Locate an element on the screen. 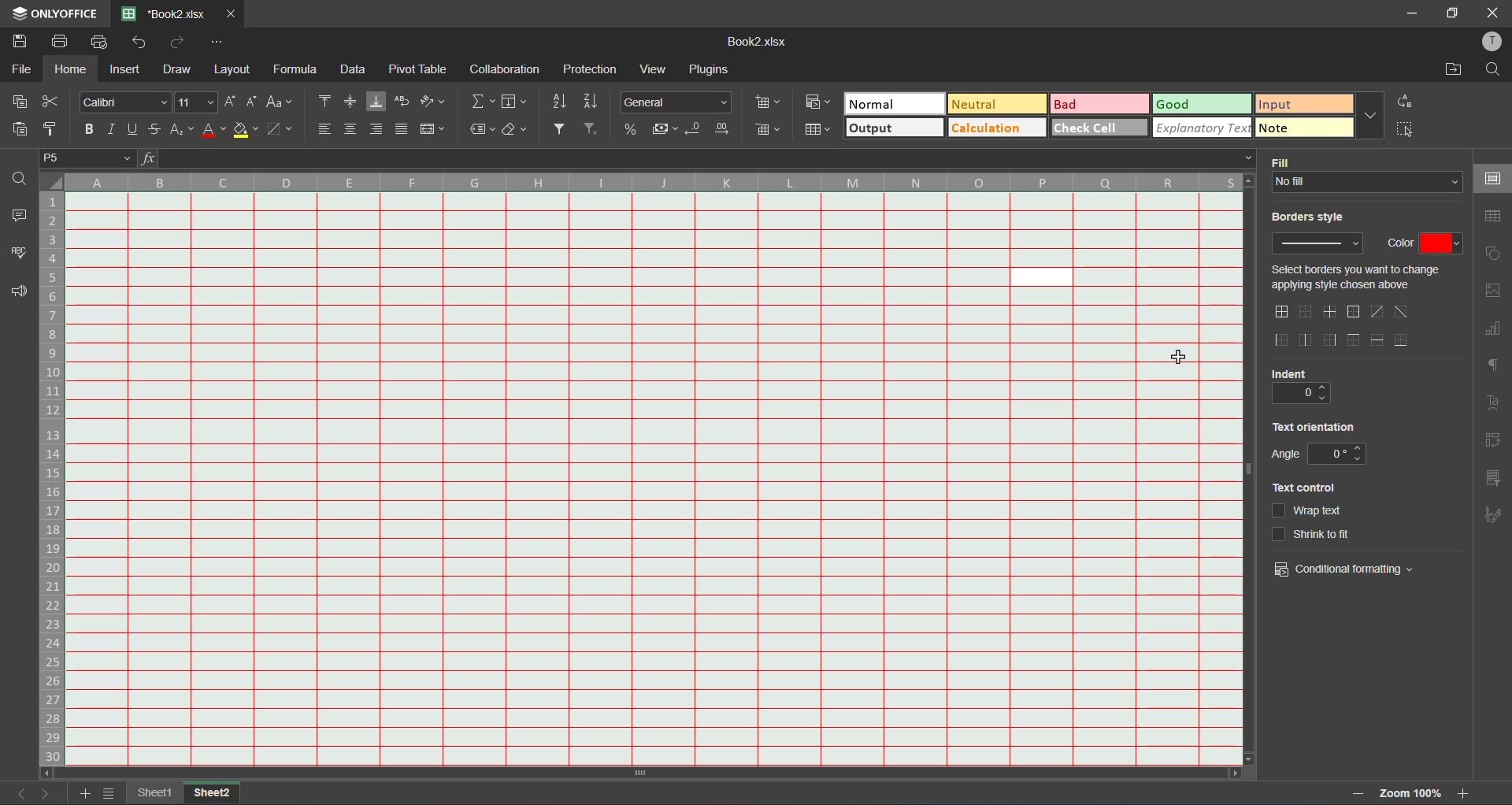  vertical scroll bar is located at coordinates (1246, 389).